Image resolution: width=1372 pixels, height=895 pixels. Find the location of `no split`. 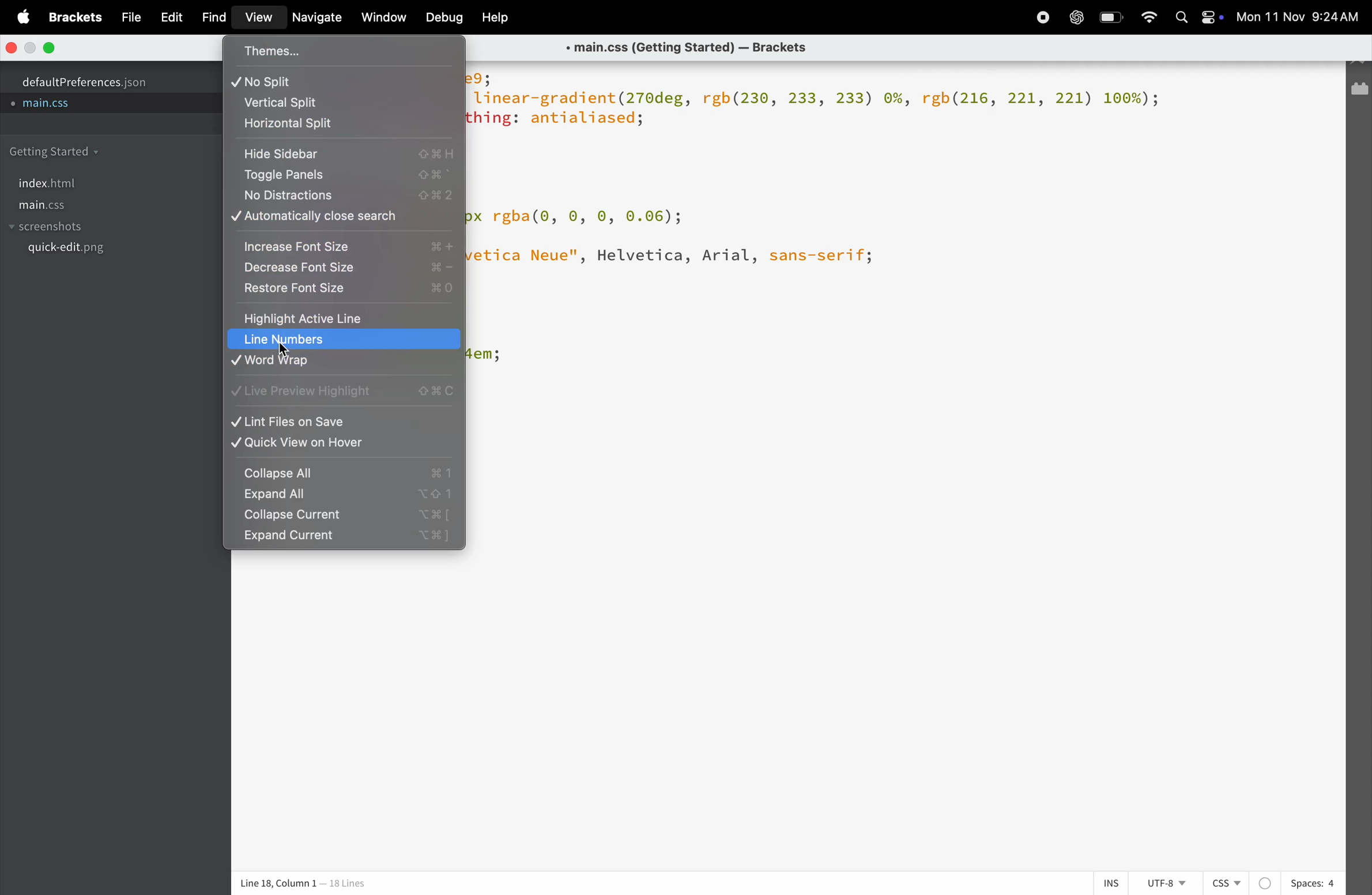

no split is located at coordinates (348, 80).